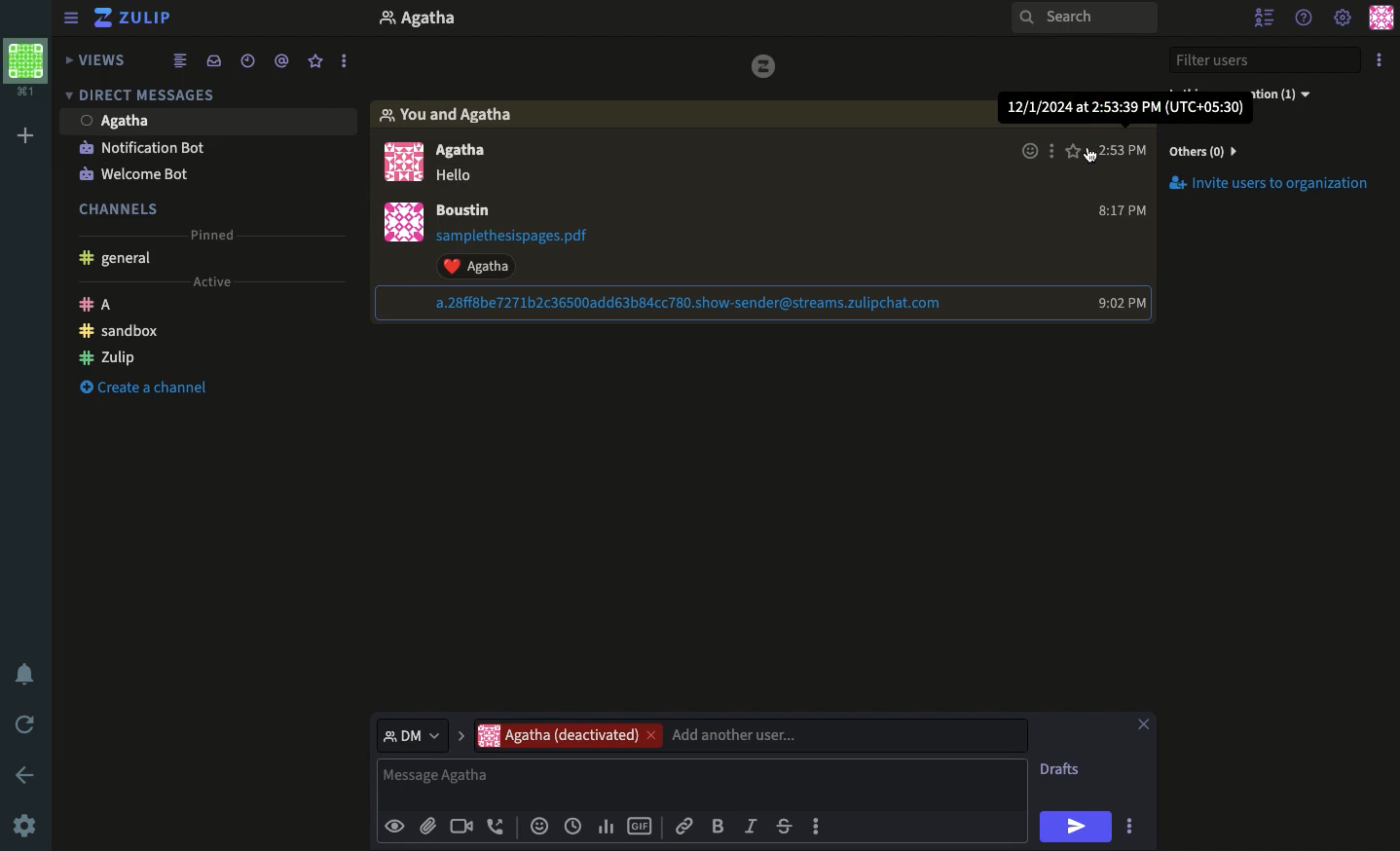 The image size is (1400, 851). Describe the element at coordinates (314, 61) in the screenshot. I see `Favorites` at that location.